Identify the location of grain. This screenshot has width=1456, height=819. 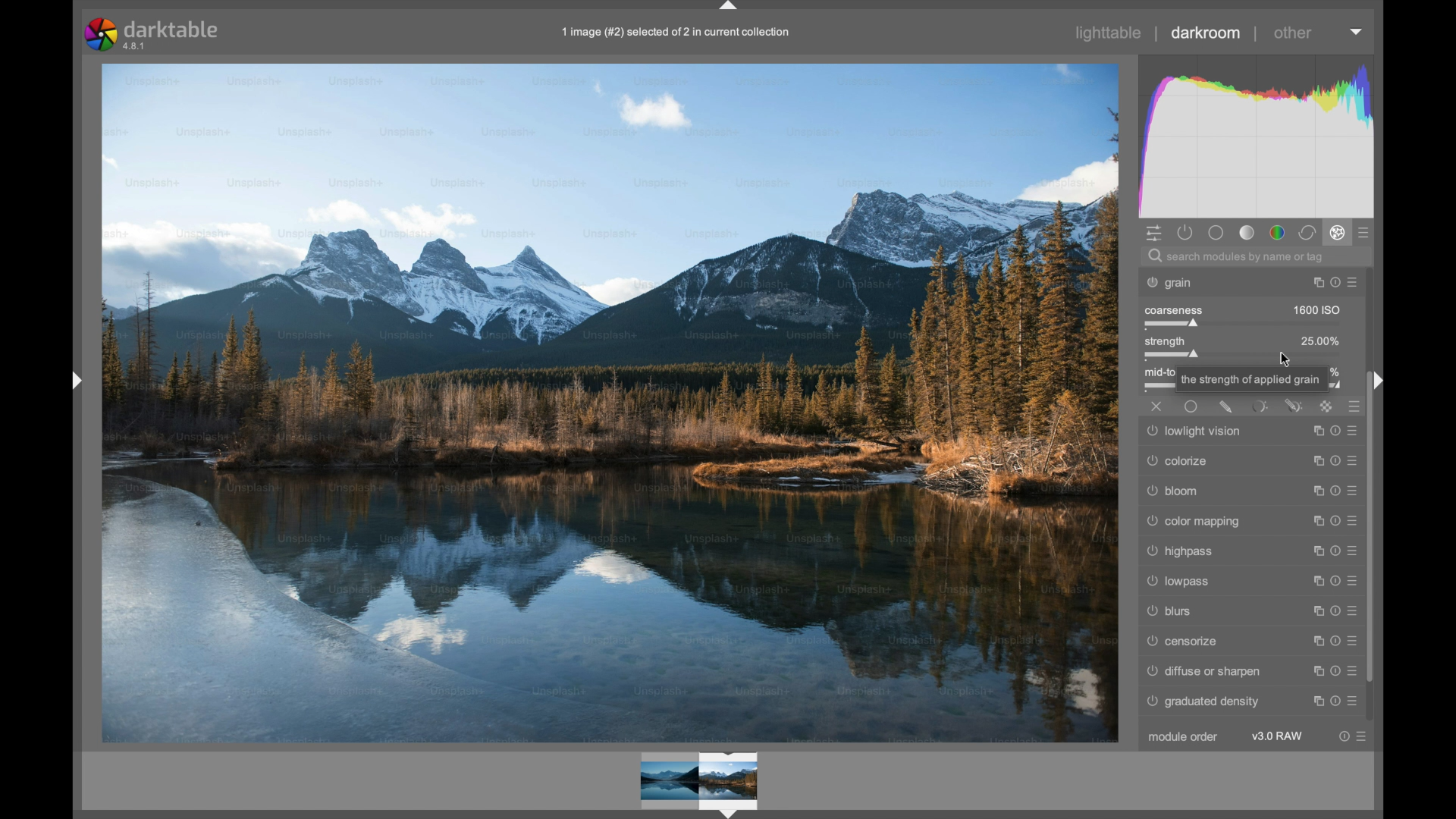
(1186, 282).